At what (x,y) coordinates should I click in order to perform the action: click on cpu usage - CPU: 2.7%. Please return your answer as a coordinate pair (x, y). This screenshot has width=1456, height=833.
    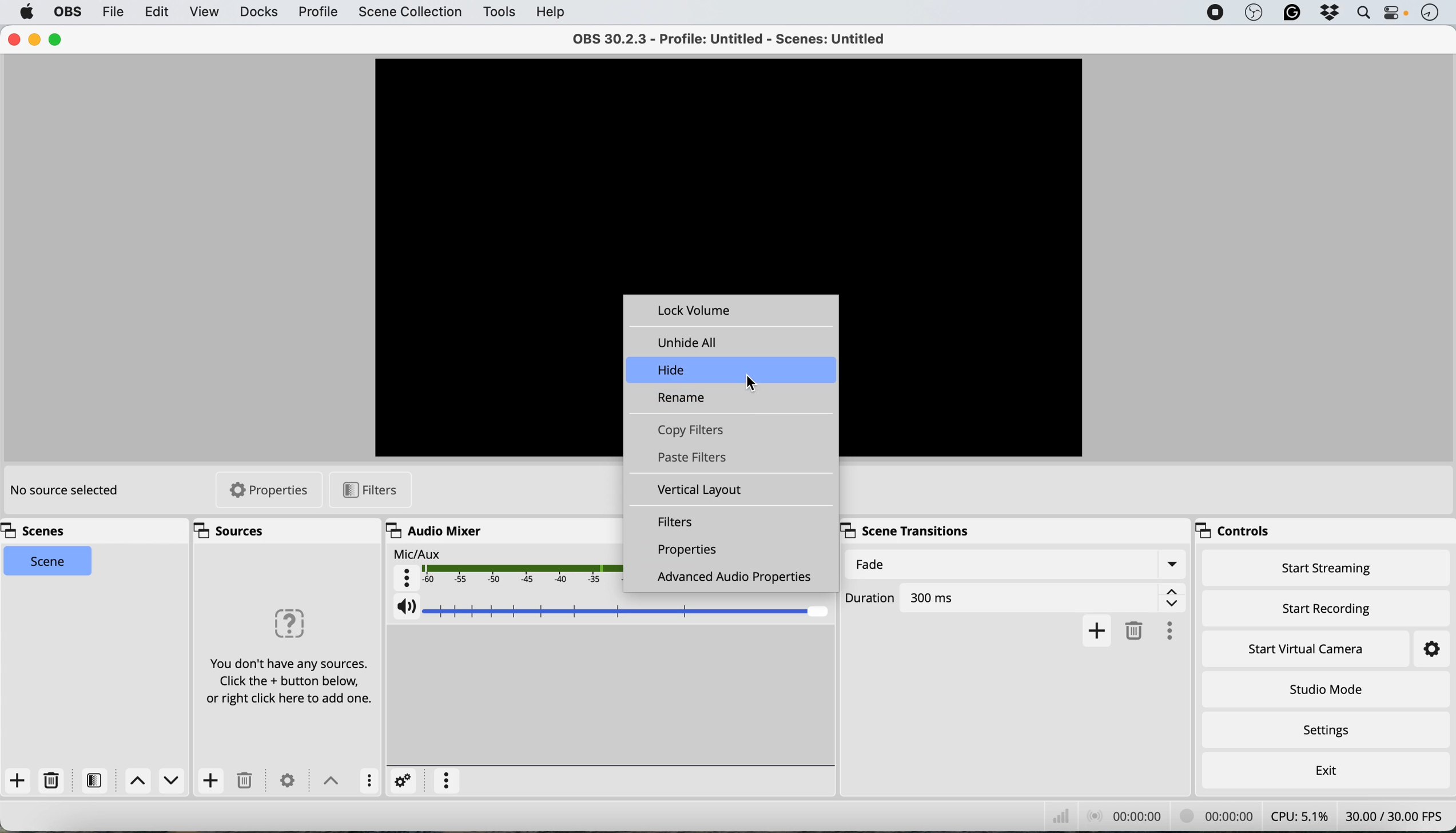
    Looking at the image, I should click on (1304, 817).